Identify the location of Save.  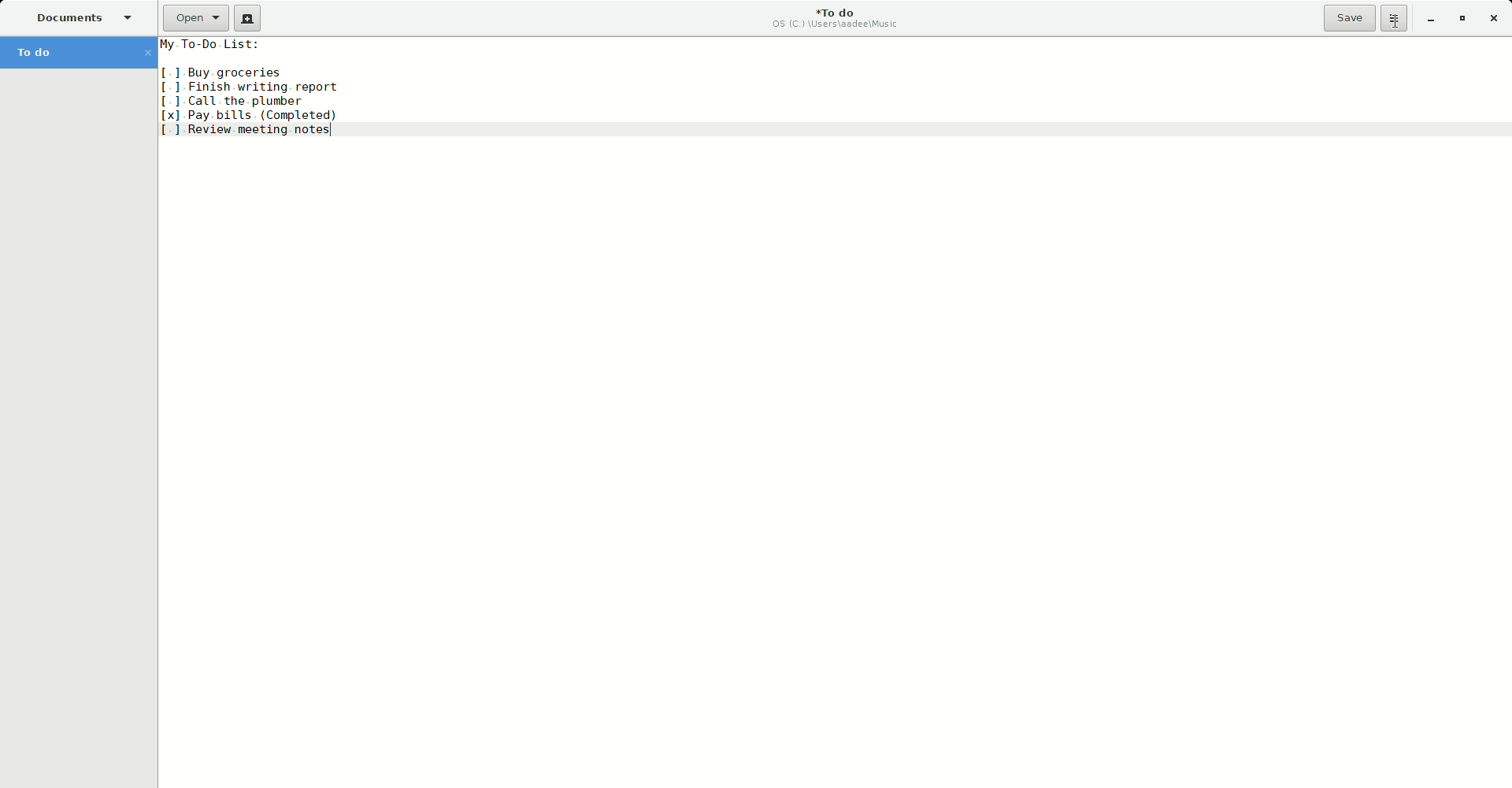
(1351, 19).